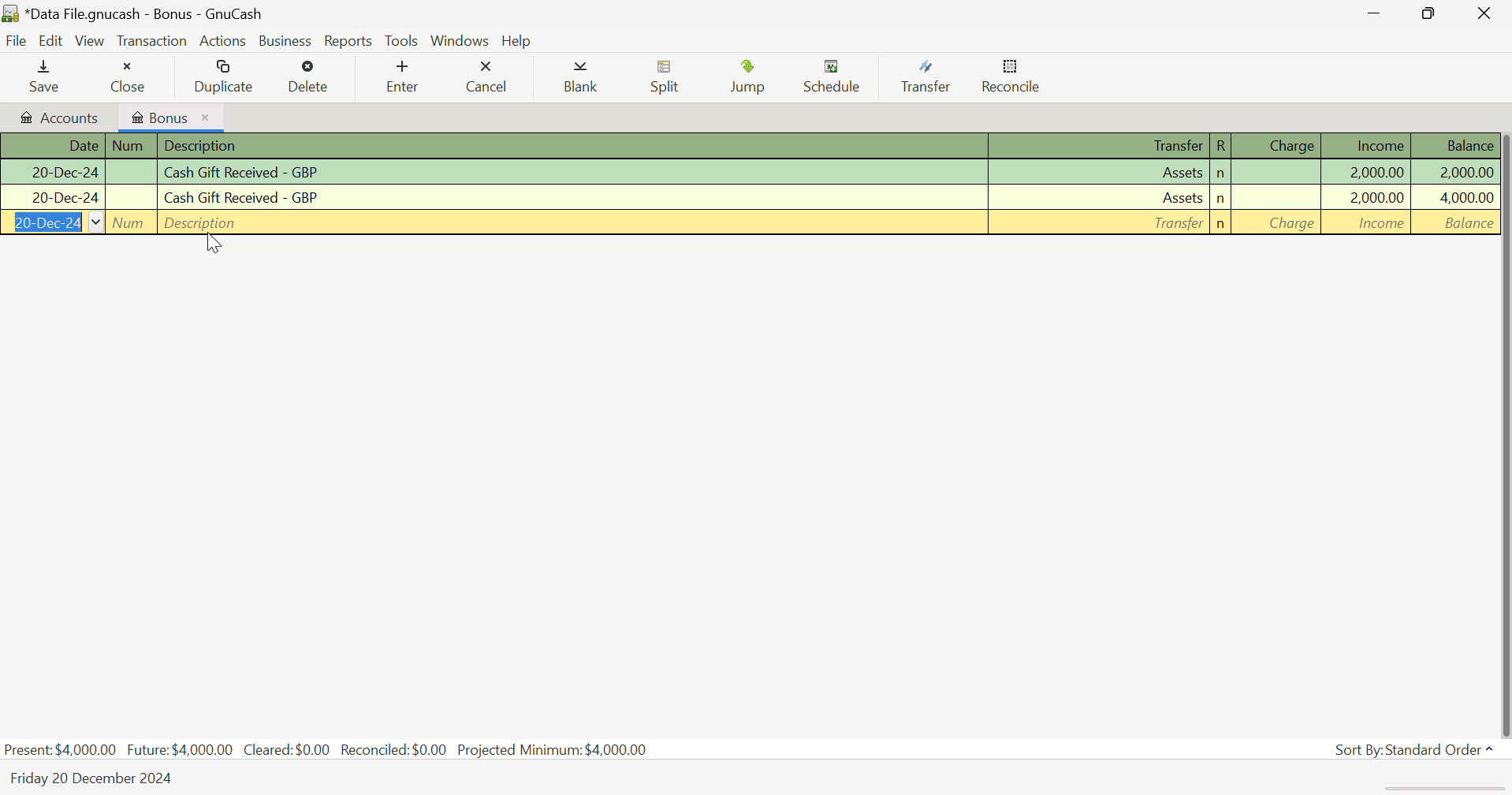 The width and height of the screenshot is (1512, 795). What do you see at coordinates (401, 77) in the screenshot?
I see `Enter` at bounding box center [401, 77].